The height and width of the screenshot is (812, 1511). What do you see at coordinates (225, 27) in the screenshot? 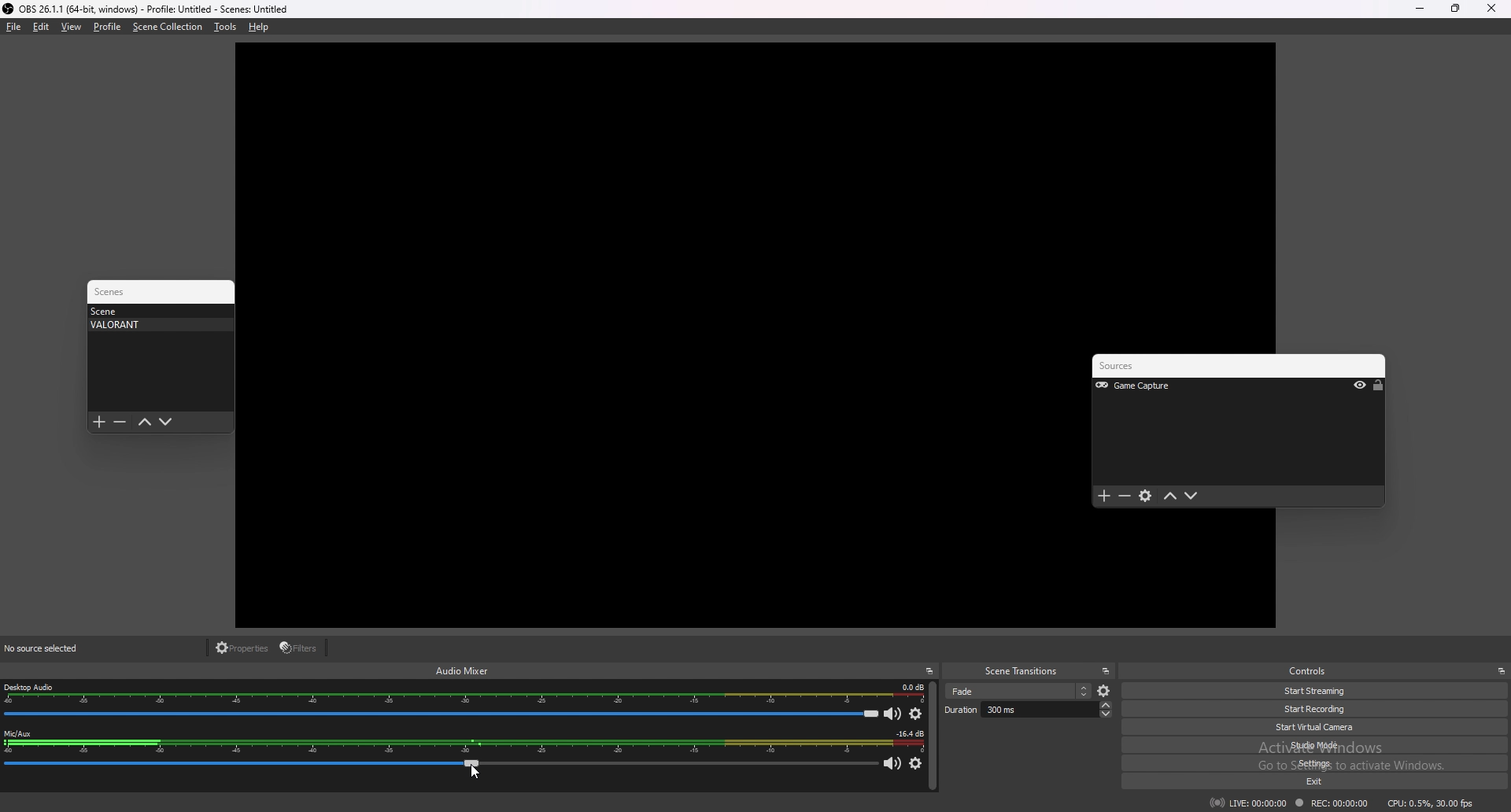
I see `tools` at bounding box center [225, 27].